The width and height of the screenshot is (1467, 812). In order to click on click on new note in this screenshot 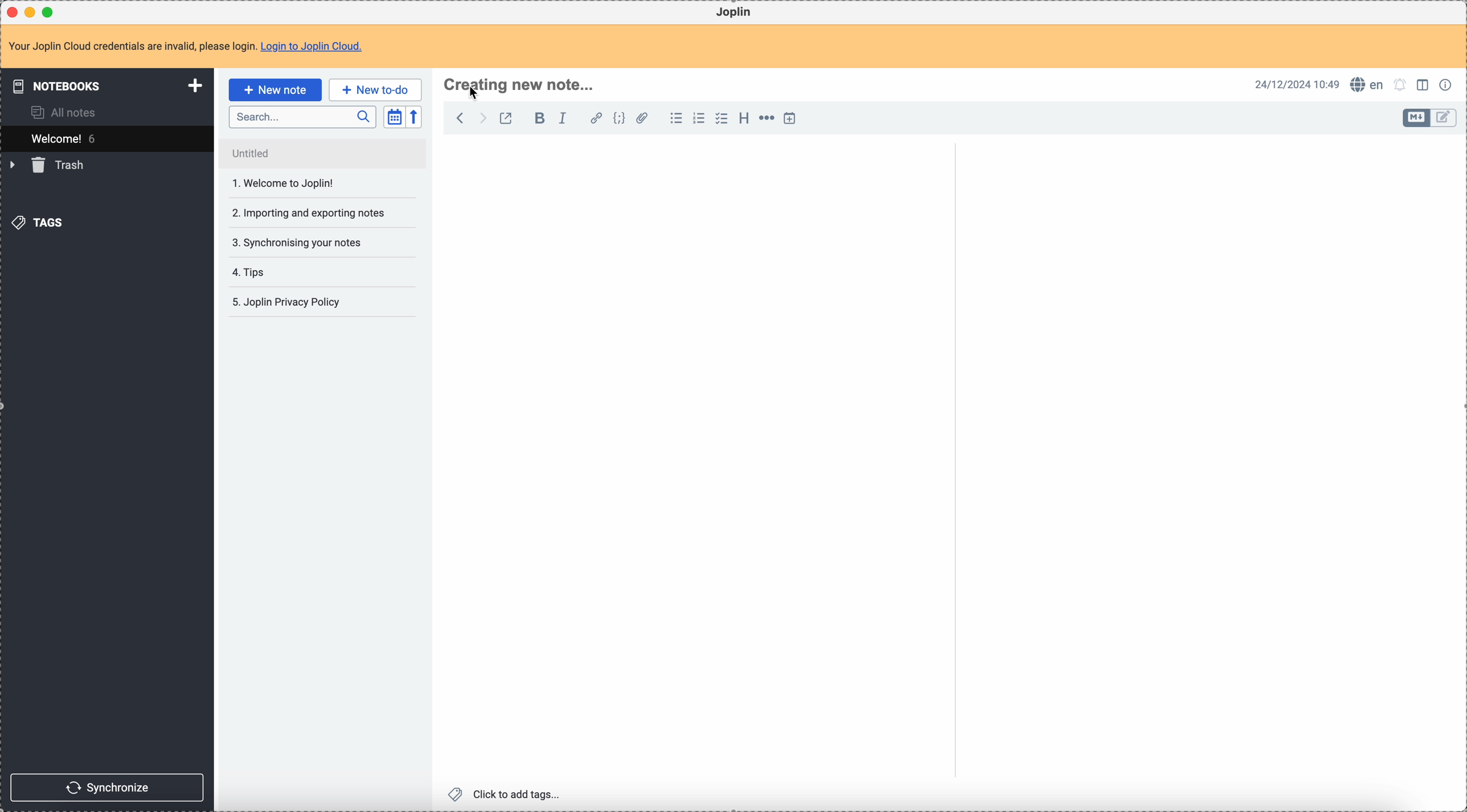, I will do `click(274, 90)`.